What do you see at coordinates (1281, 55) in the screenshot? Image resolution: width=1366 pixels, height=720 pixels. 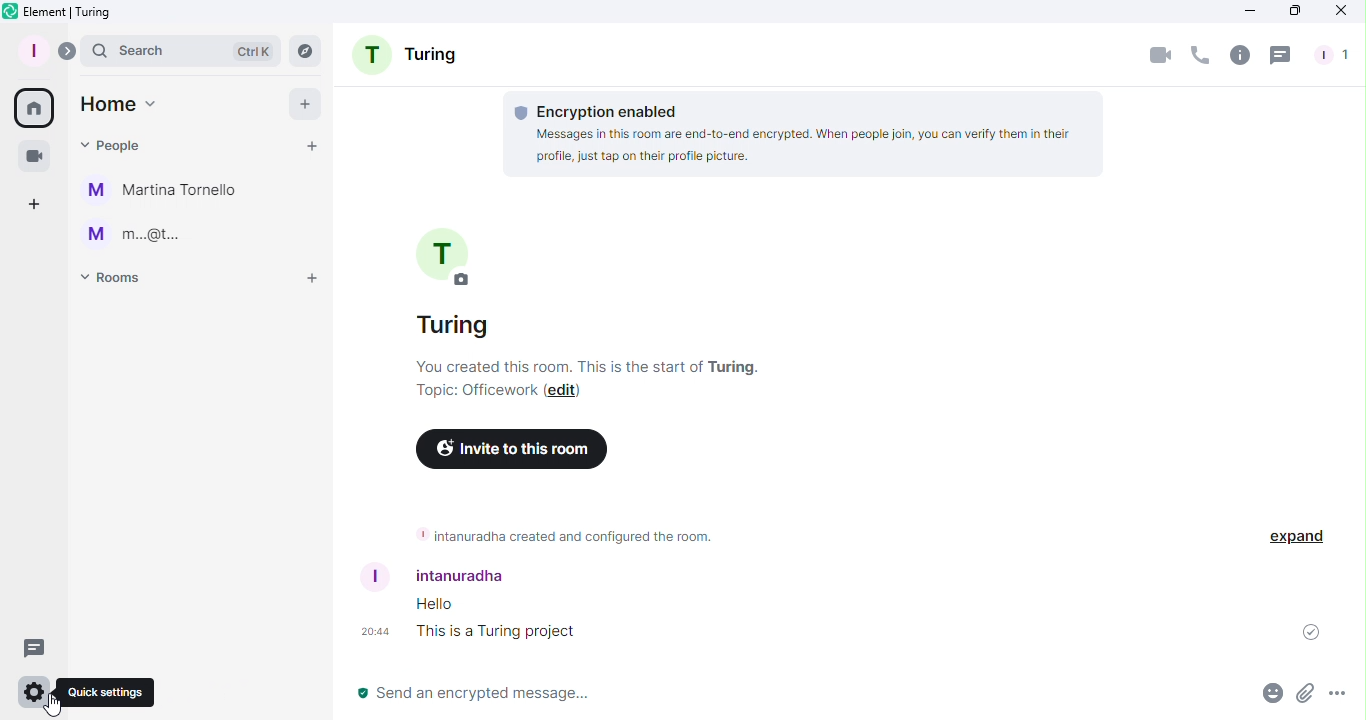 I see `Threads` at bounding box center [1281, 55].